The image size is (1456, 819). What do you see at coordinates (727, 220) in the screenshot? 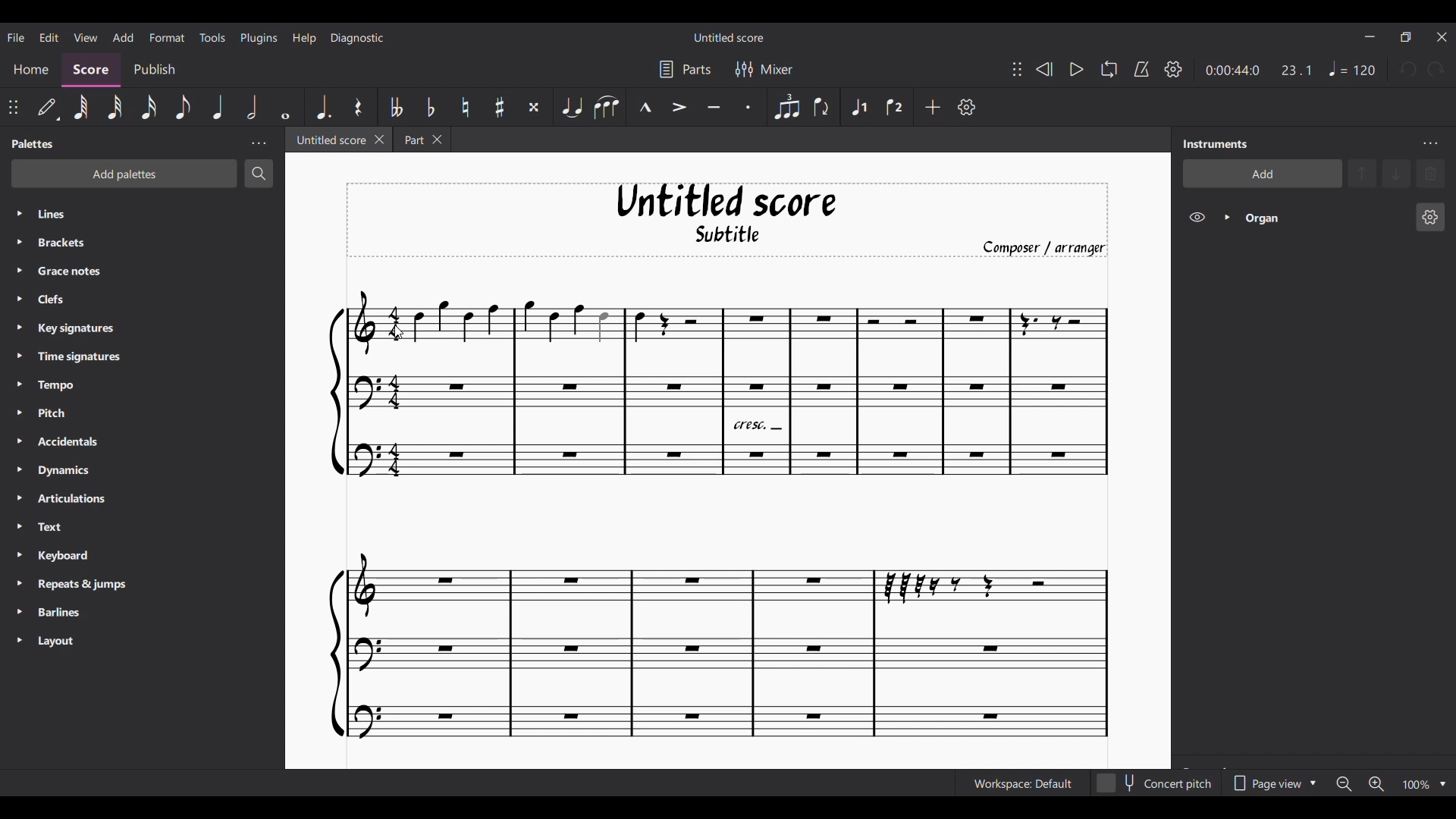
I see `Title, sub-title, and composer name of current score` at bounding box center [727, 220].